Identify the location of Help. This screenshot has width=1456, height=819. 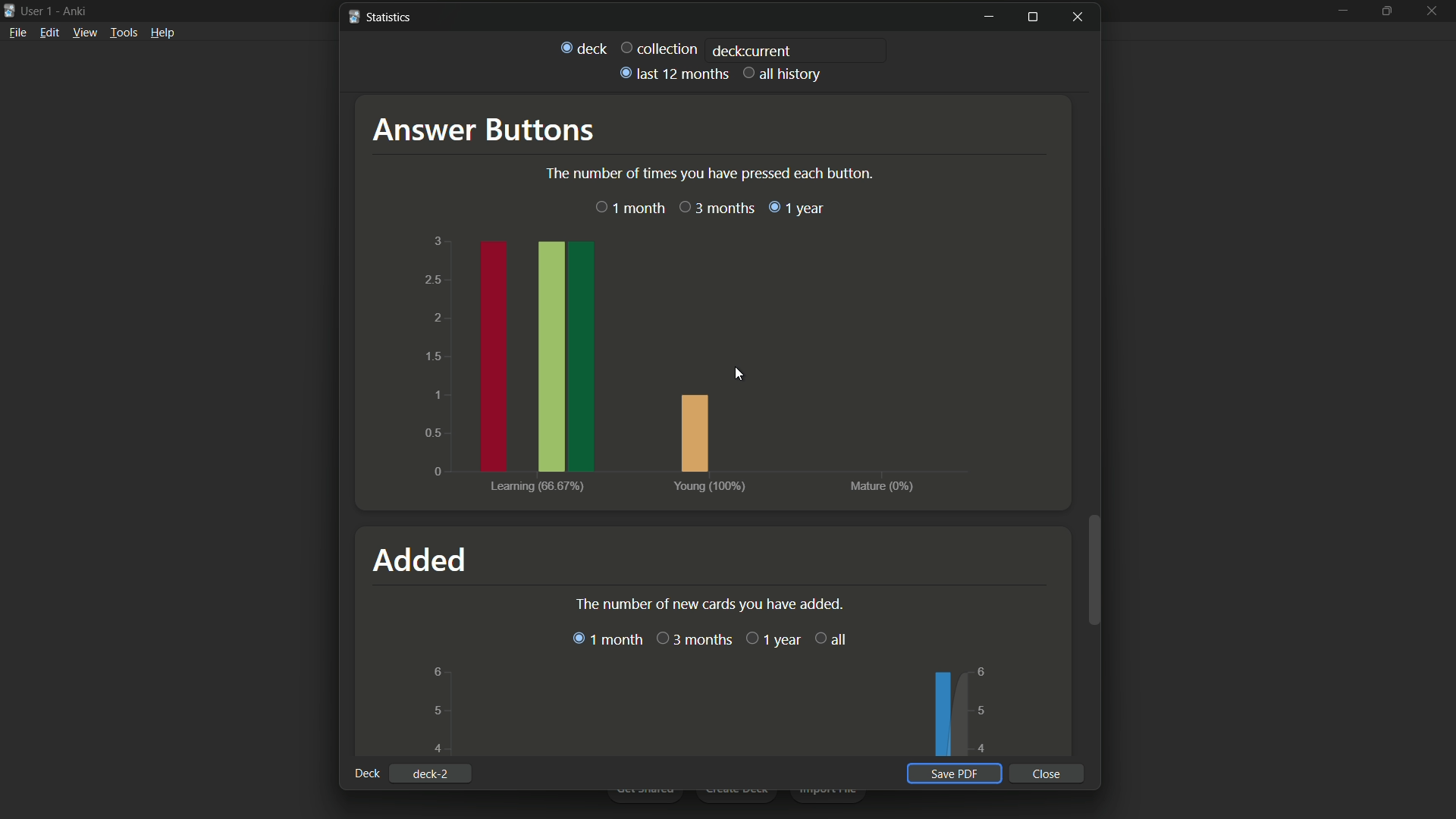
(165, 36).